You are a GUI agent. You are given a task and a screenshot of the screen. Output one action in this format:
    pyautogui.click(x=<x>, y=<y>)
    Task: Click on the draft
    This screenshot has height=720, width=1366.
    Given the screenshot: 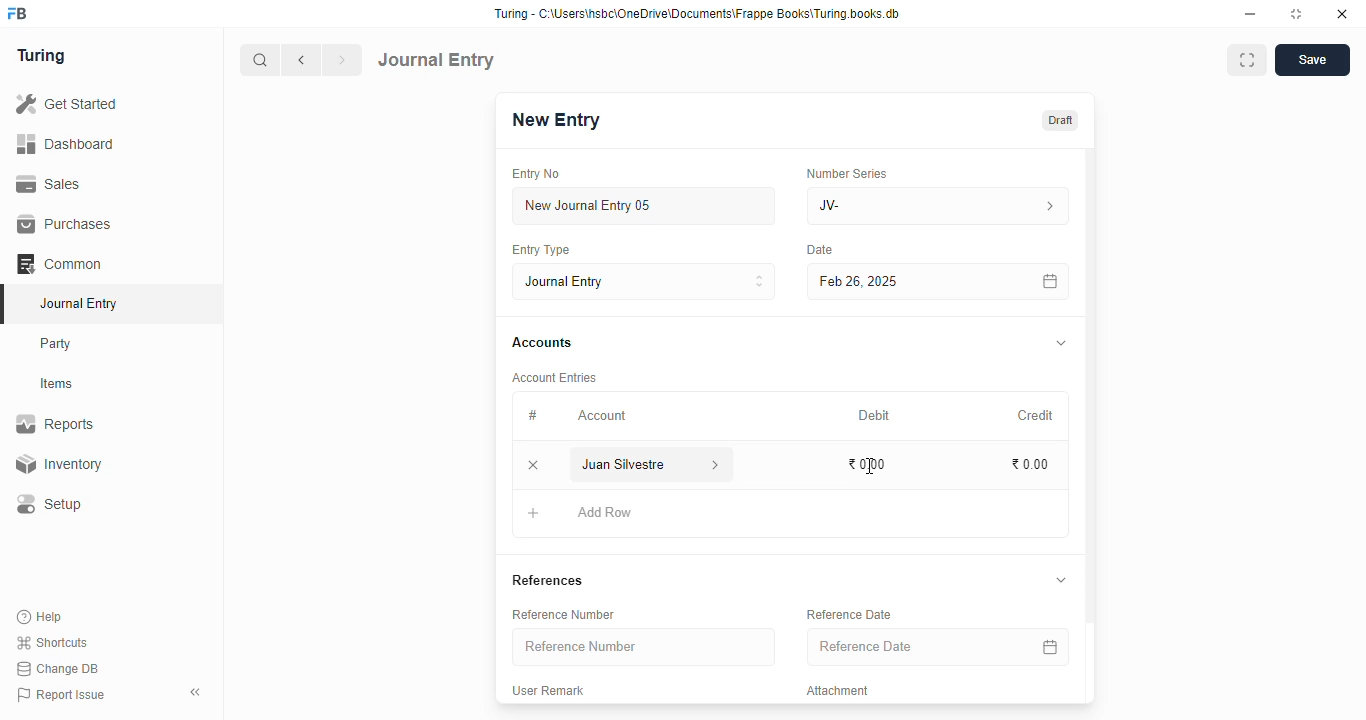 What is the action you would take?
    pyautogui.click(x=1059, y=120)
    